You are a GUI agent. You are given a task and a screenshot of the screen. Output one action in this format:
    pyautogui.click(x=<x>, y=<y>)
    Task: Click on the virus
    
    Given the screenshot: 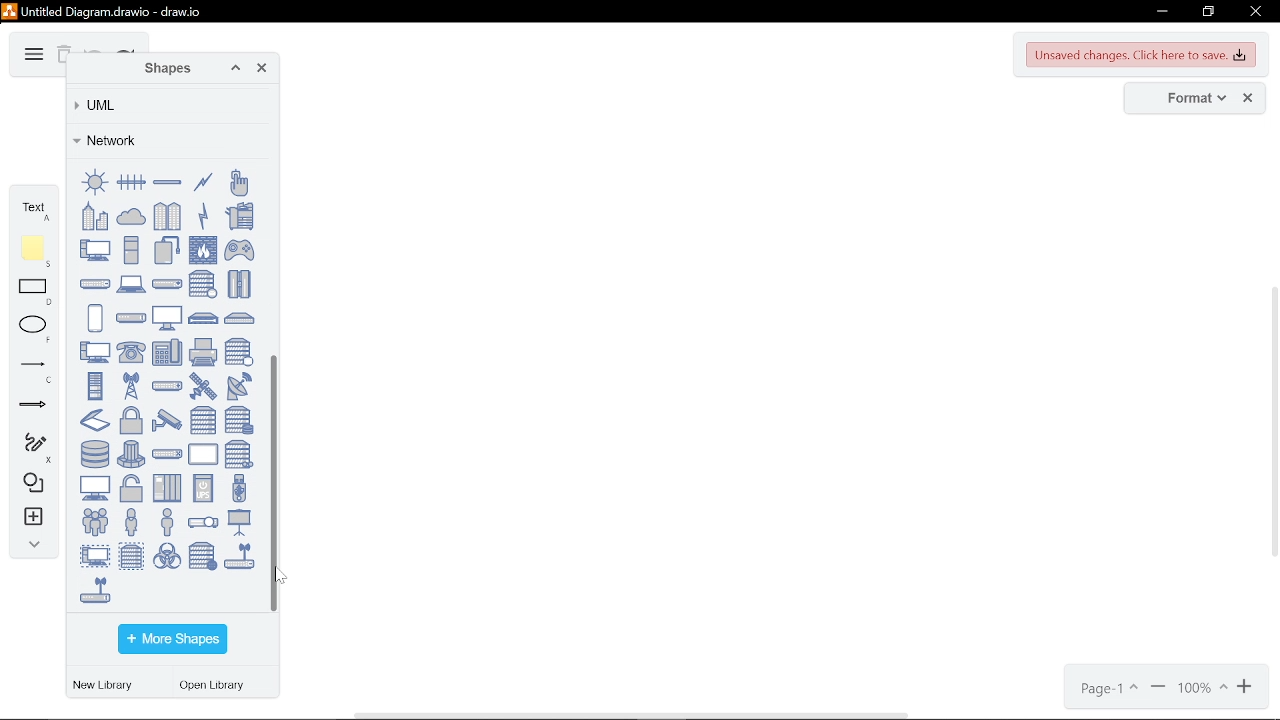 What is the action you would take?
    pyautogui.click(x=167, y=555)
    